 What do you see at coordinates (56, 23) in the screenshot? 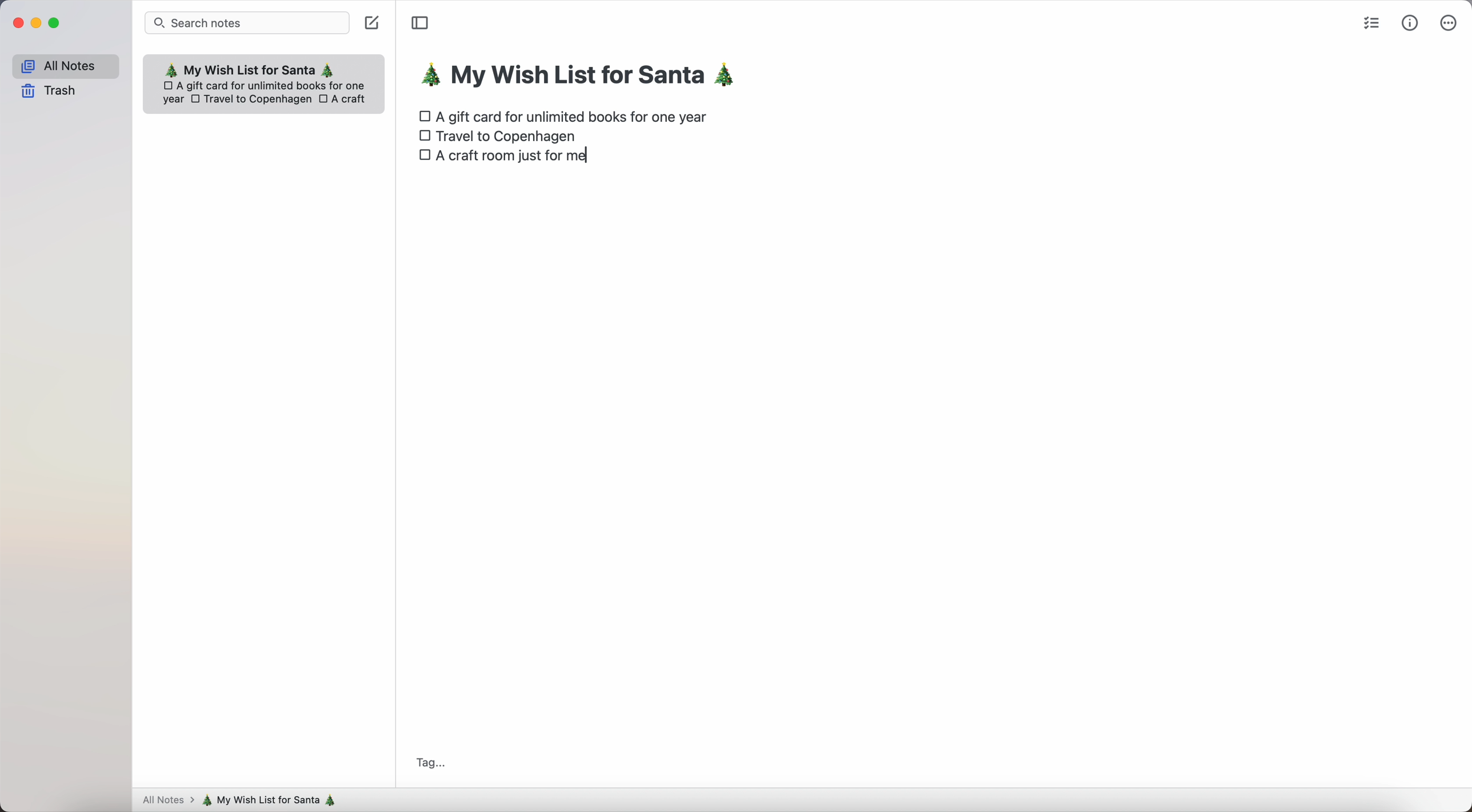
I see `maximize` at bounding box center [56, 23].